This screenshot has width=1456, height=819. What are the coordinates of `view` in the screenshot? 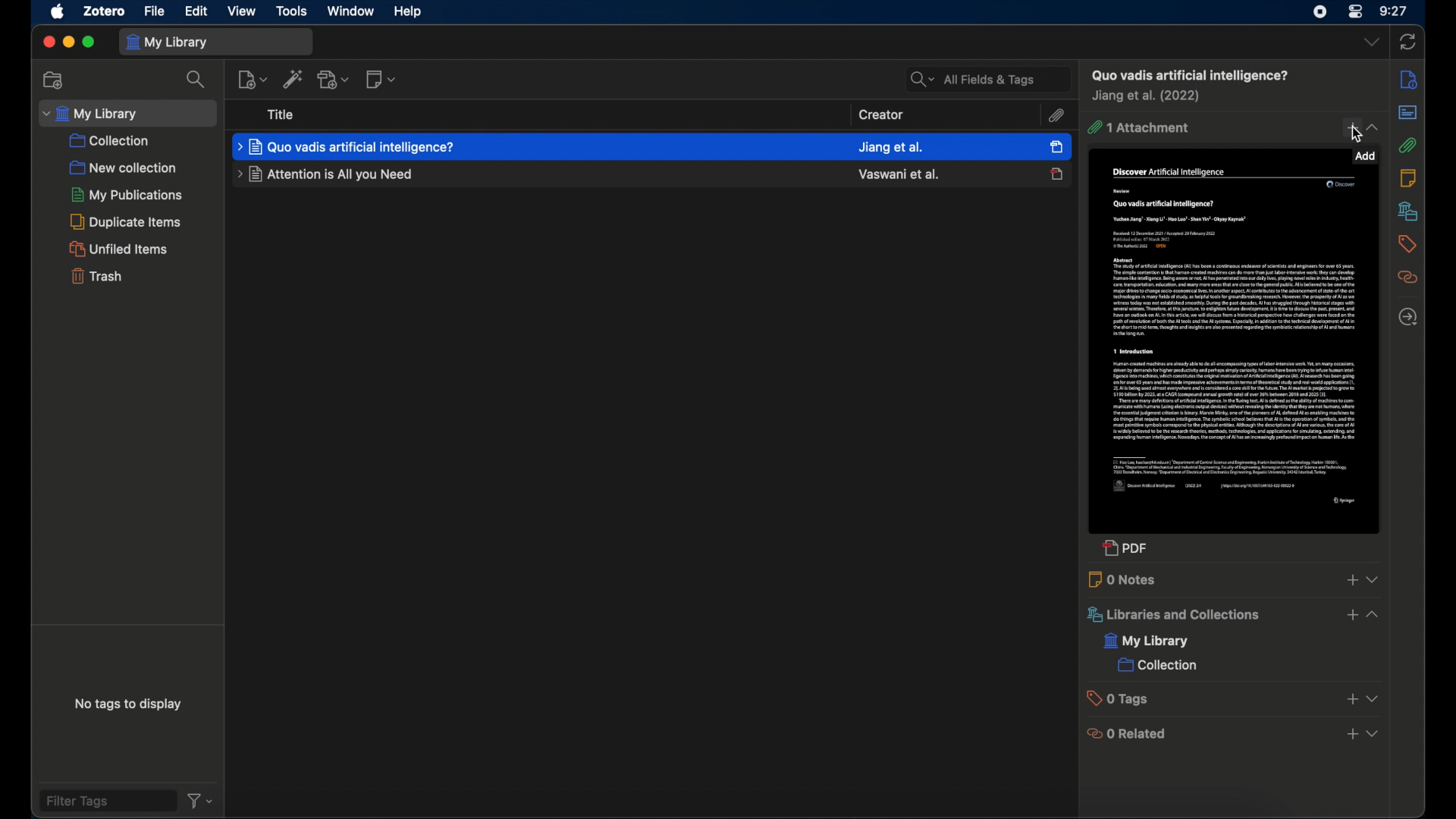 It's located at (242, 11).